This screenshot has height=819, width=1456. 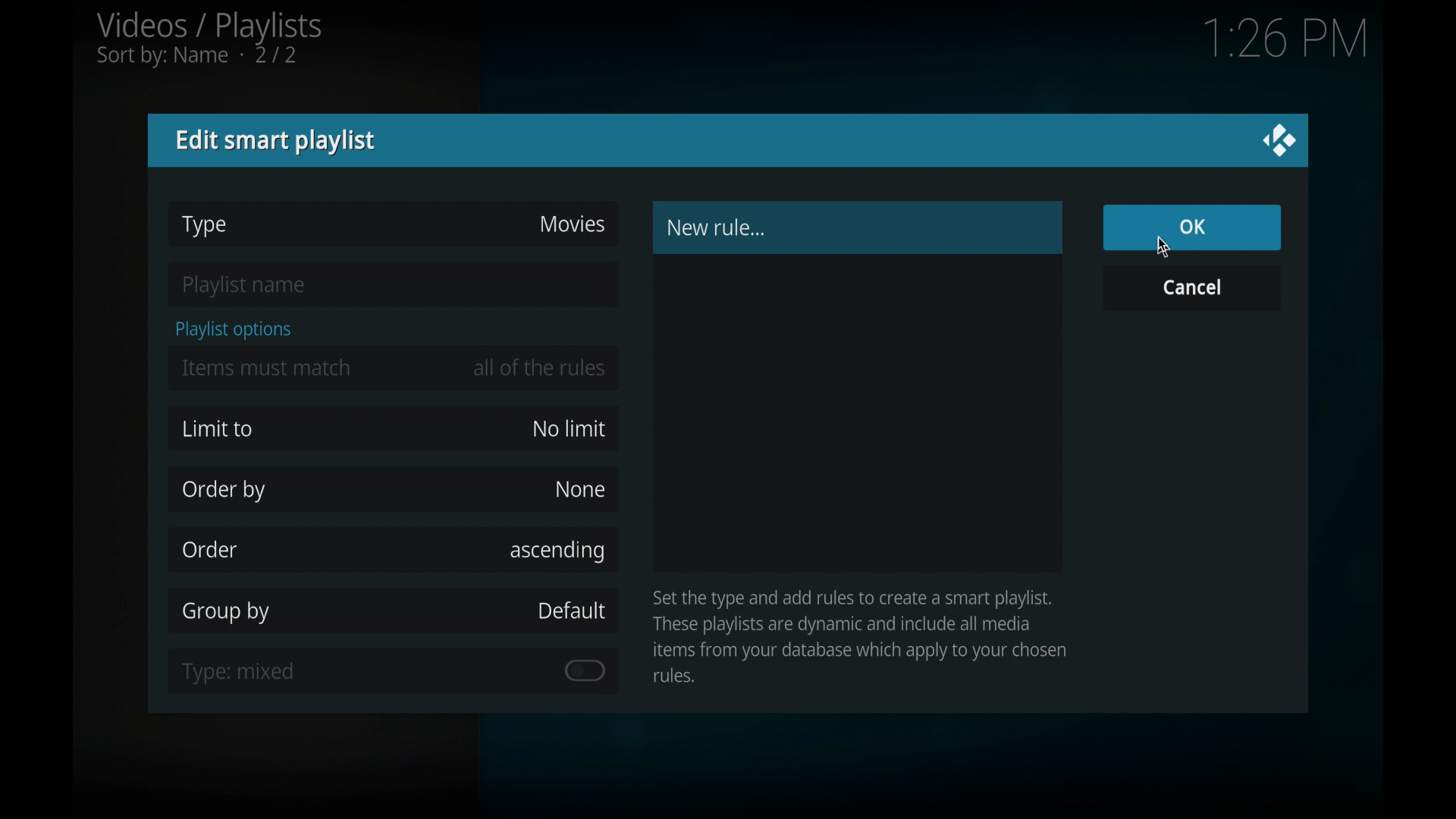 I want to click on cancel, so click(x=1193, y=287).